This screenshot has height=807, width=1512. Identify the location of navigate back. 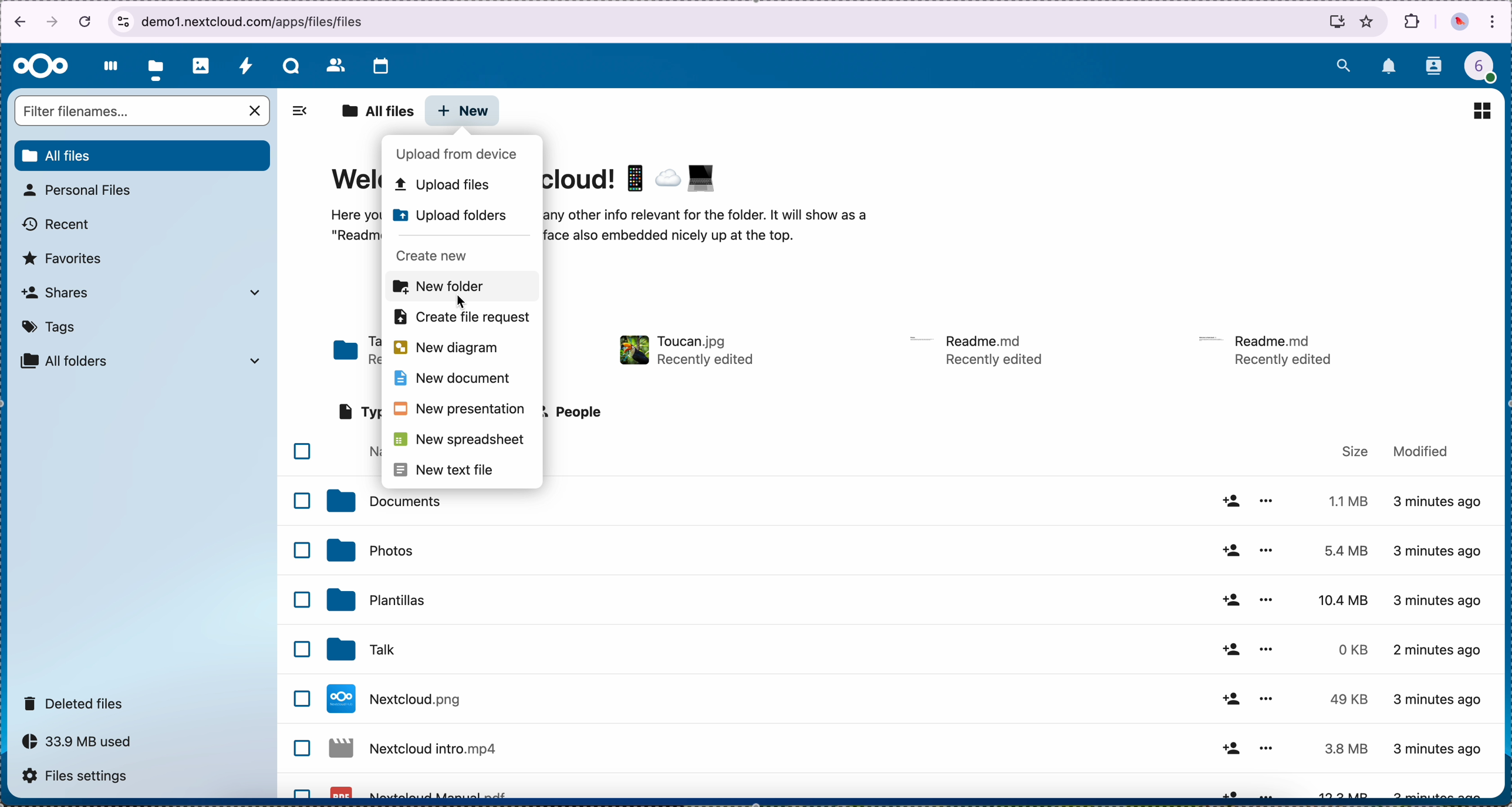
(16, 24).